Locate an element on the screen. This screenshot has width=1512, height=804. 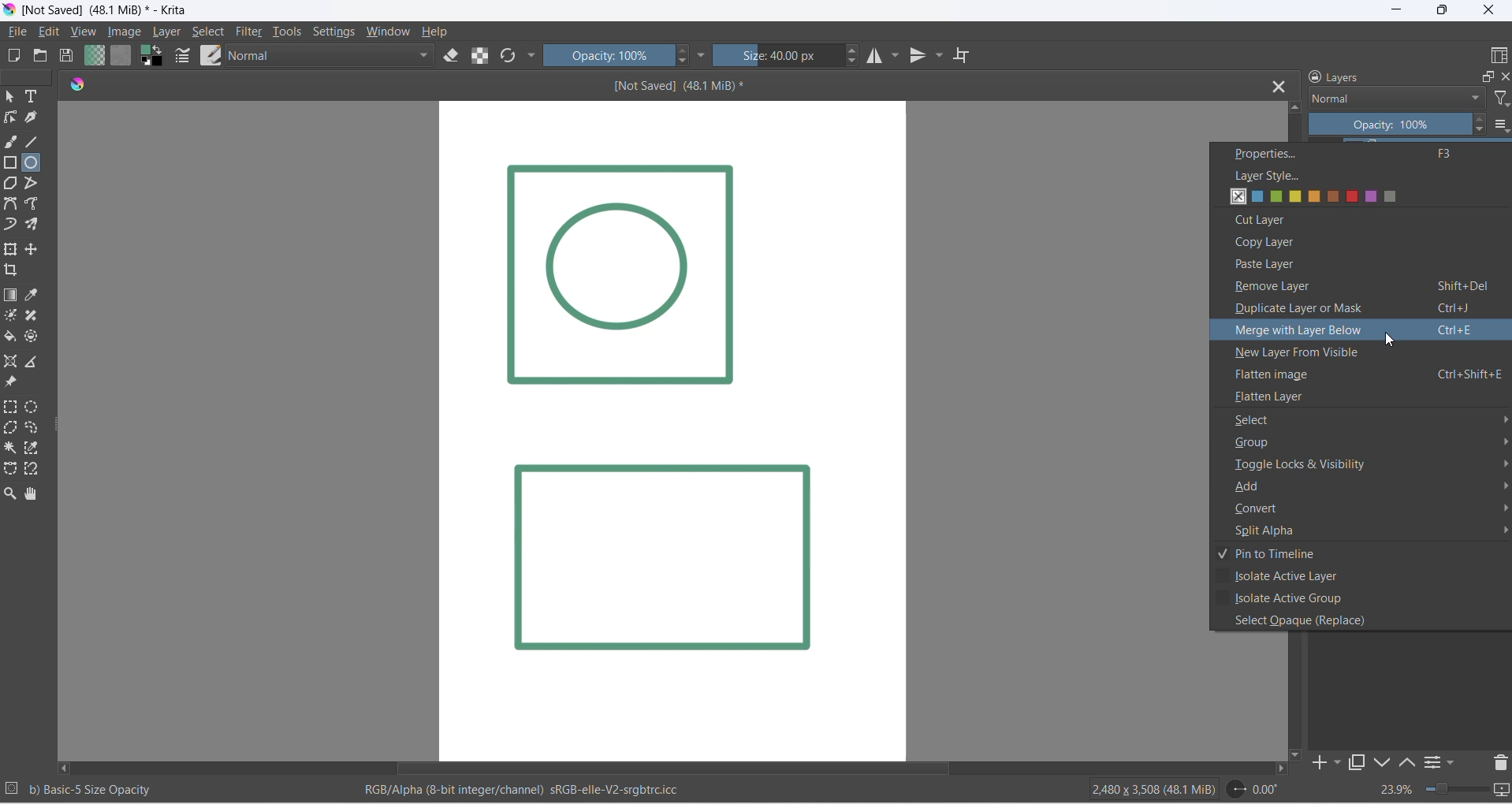
horizontal mirror tool is located at coordinates (884, 56).